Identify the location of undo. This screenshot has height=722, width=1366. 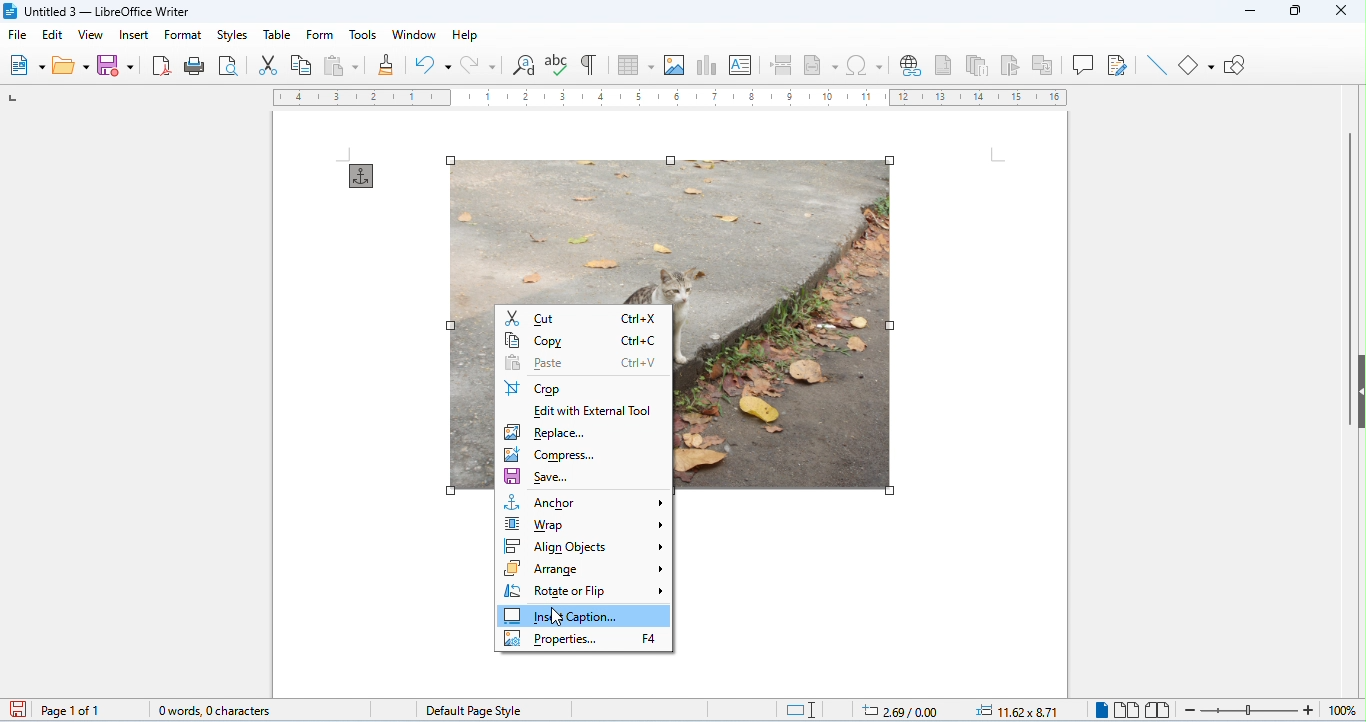
(432, 65).